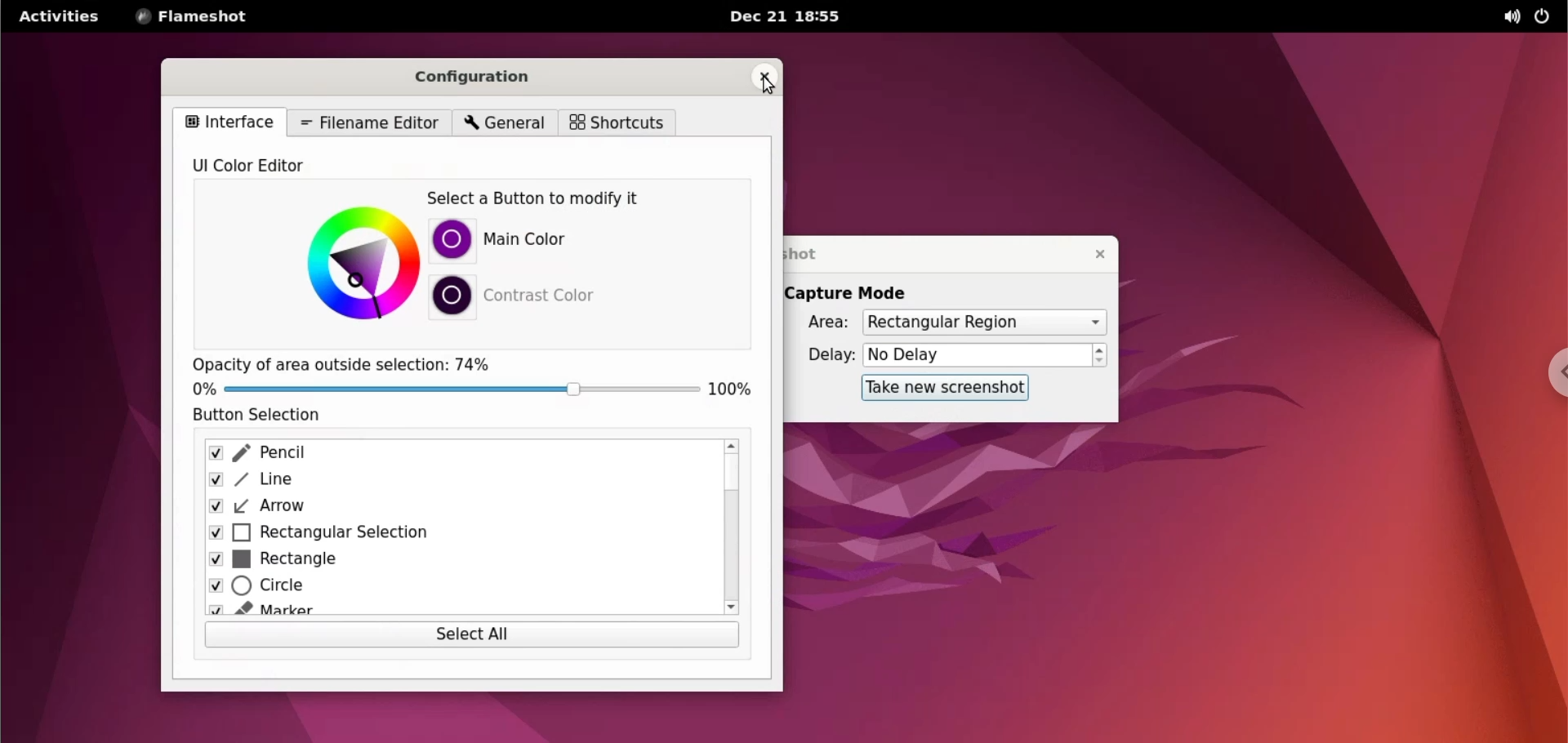  Describe the element at coordinates (204, 18) in the screenshot. I see `FLAMESHOT` at that location.